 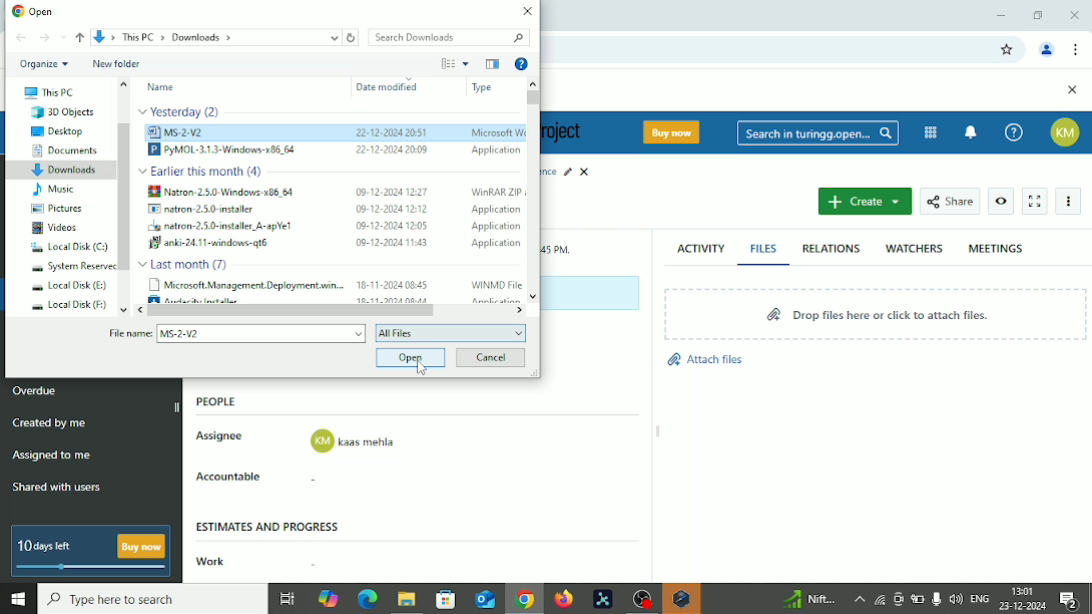 What do you see at coordinates (914, 248) in the screenshot?
I see `Watchers` at bounding box center [914, 248].